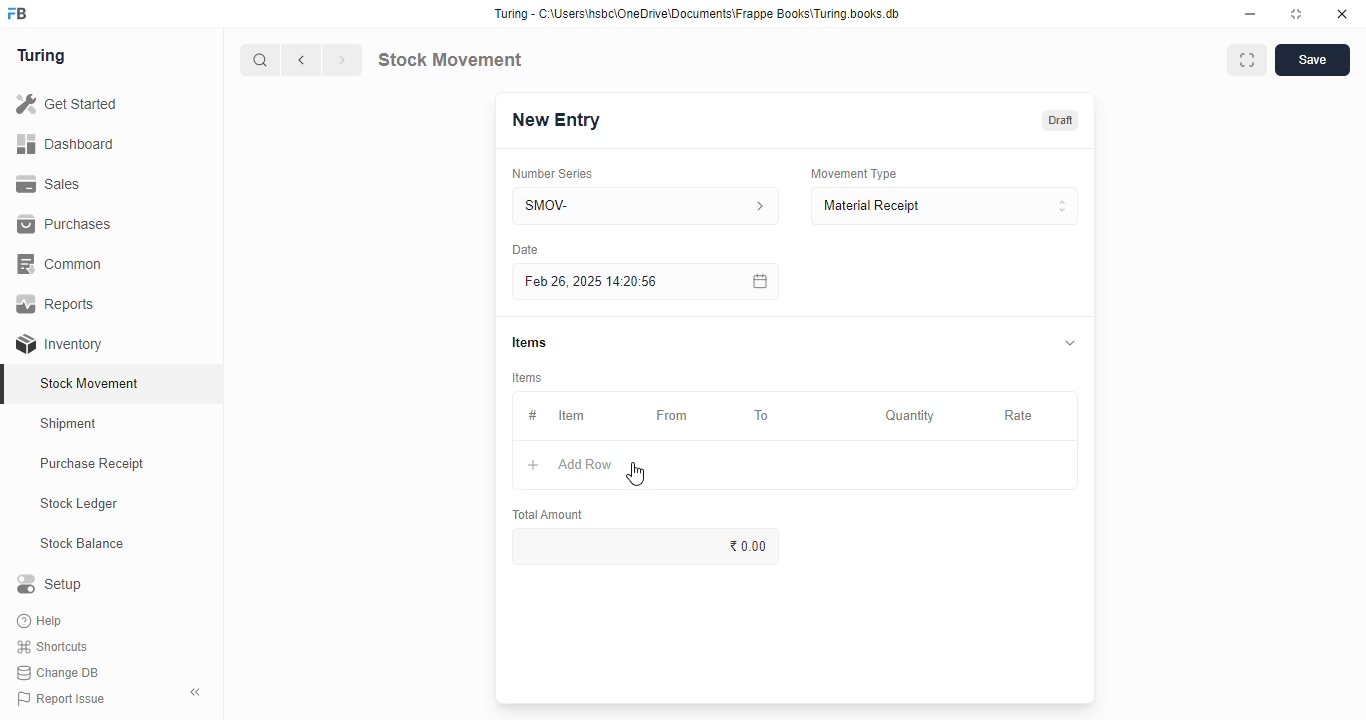 The image size is (1366, 720). What do you see at coordinates (636, 474) in the screenshot?
I see `cursor` at bounding box center [636, 474].